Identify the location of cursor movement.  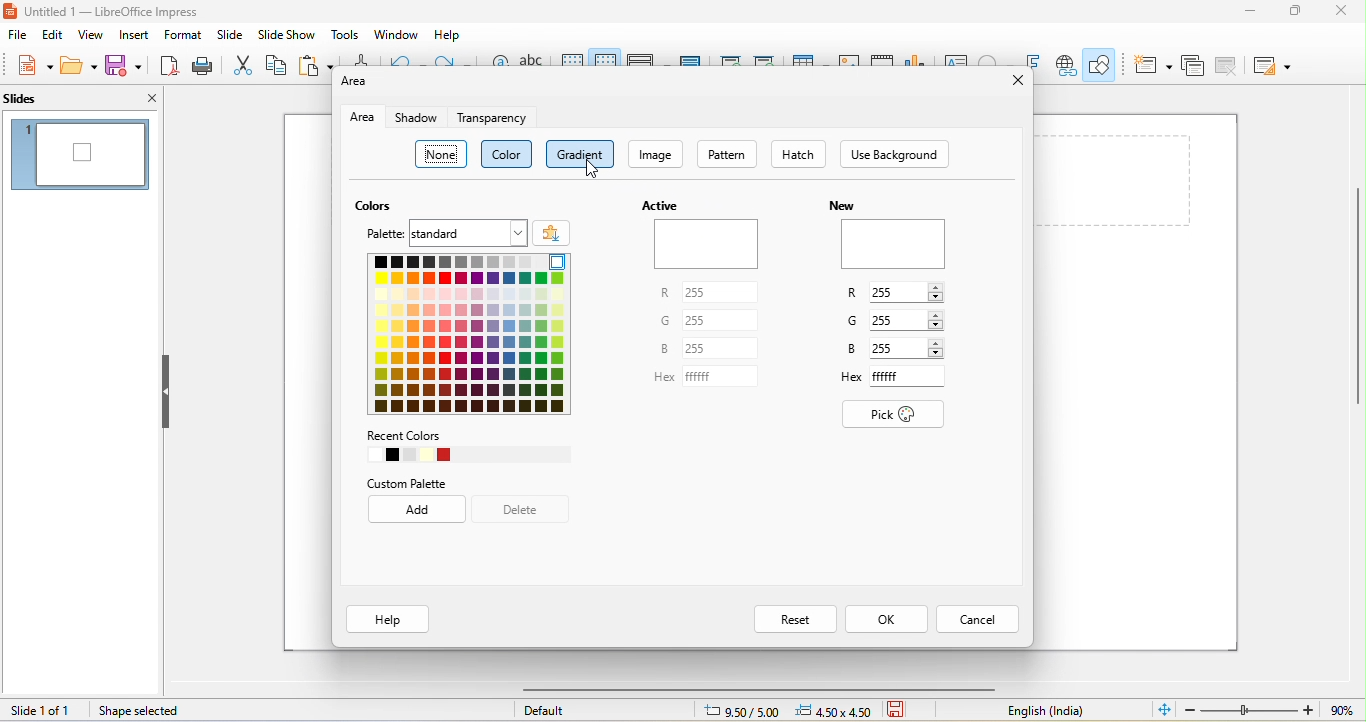
(592, 171).